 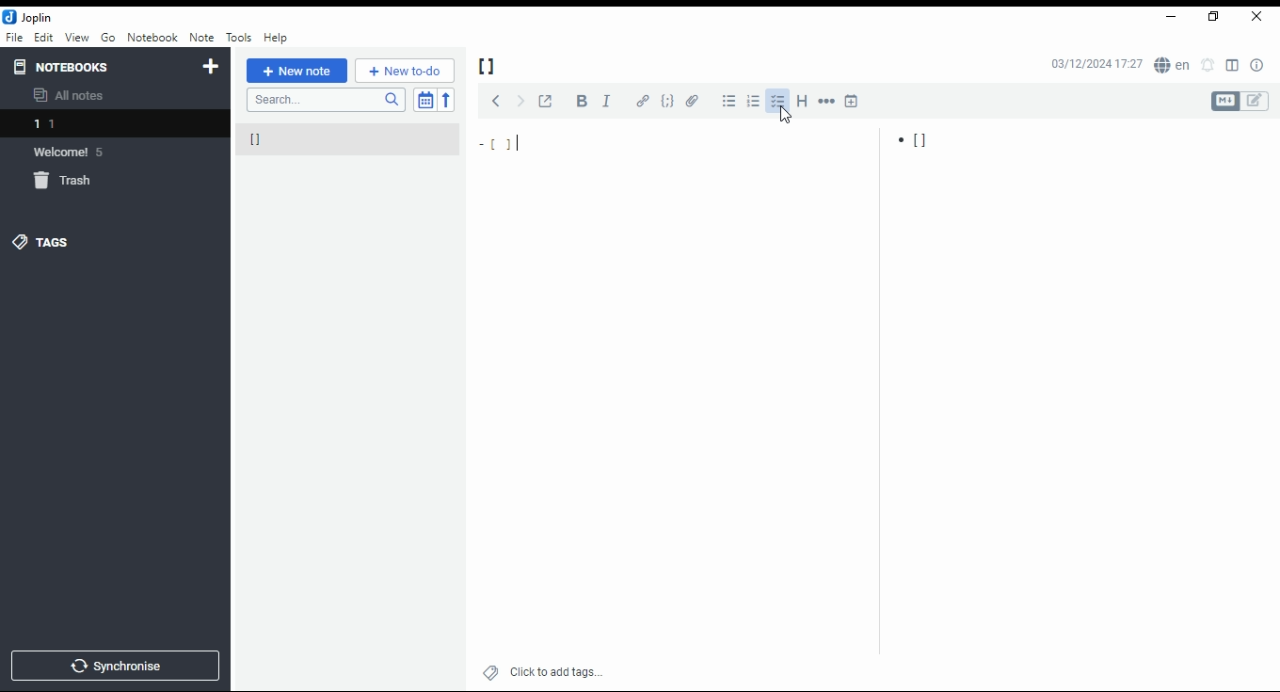 I want to click on tags, so click(x=52, y=247).